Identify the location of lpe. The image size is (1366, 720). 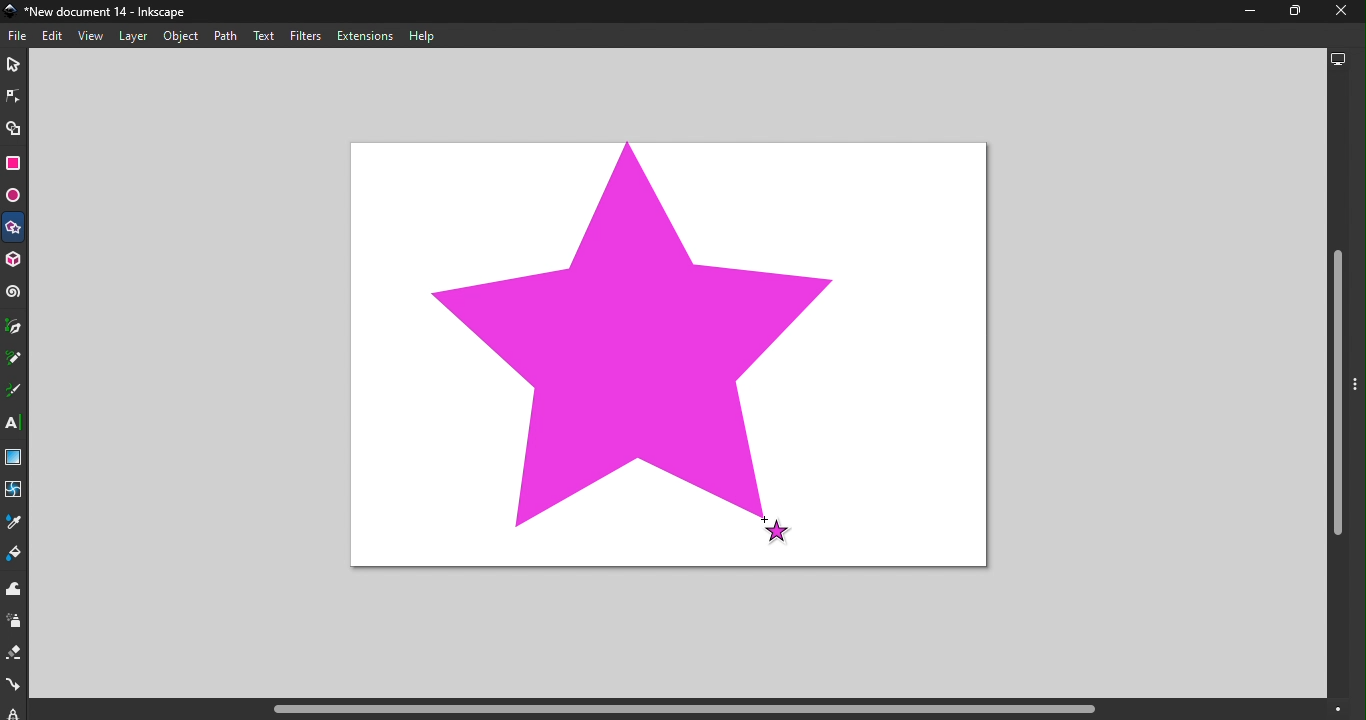
(9, 711).